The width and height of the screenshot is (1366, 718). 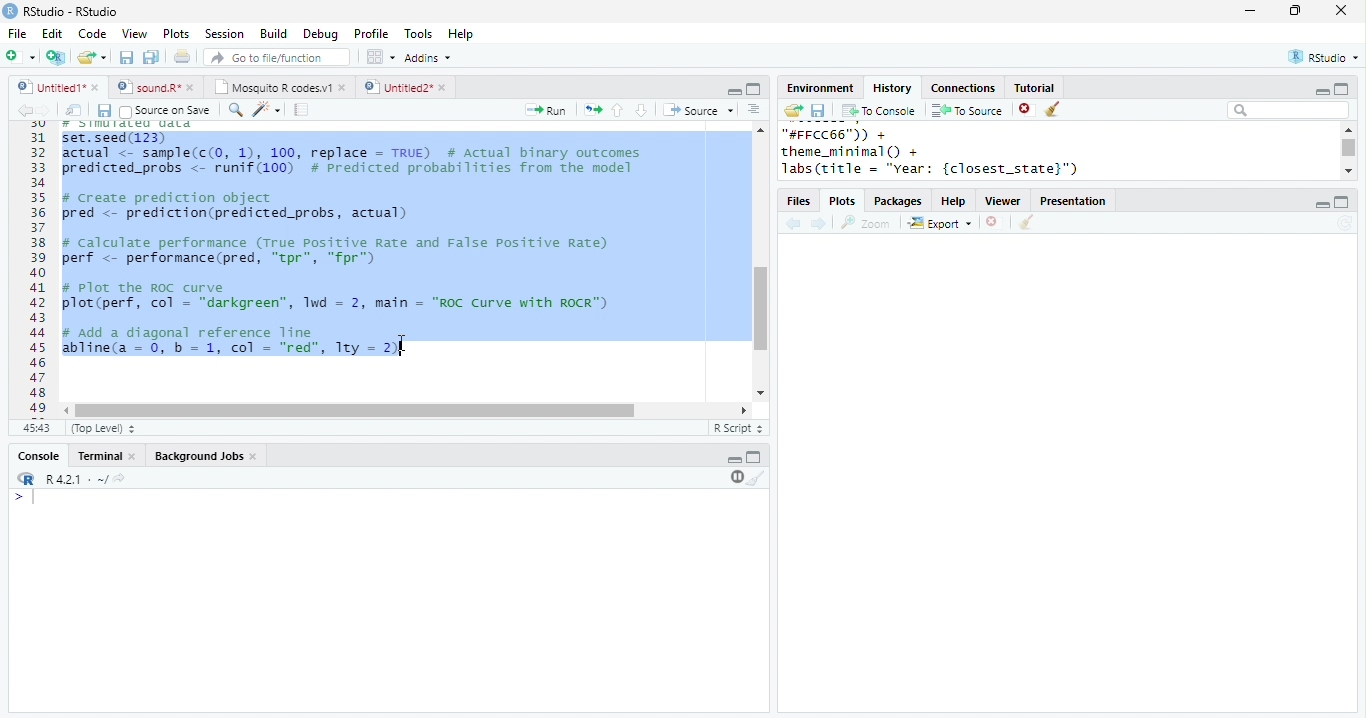 I want to click on Background Jobs, so click(x=198, y=456).